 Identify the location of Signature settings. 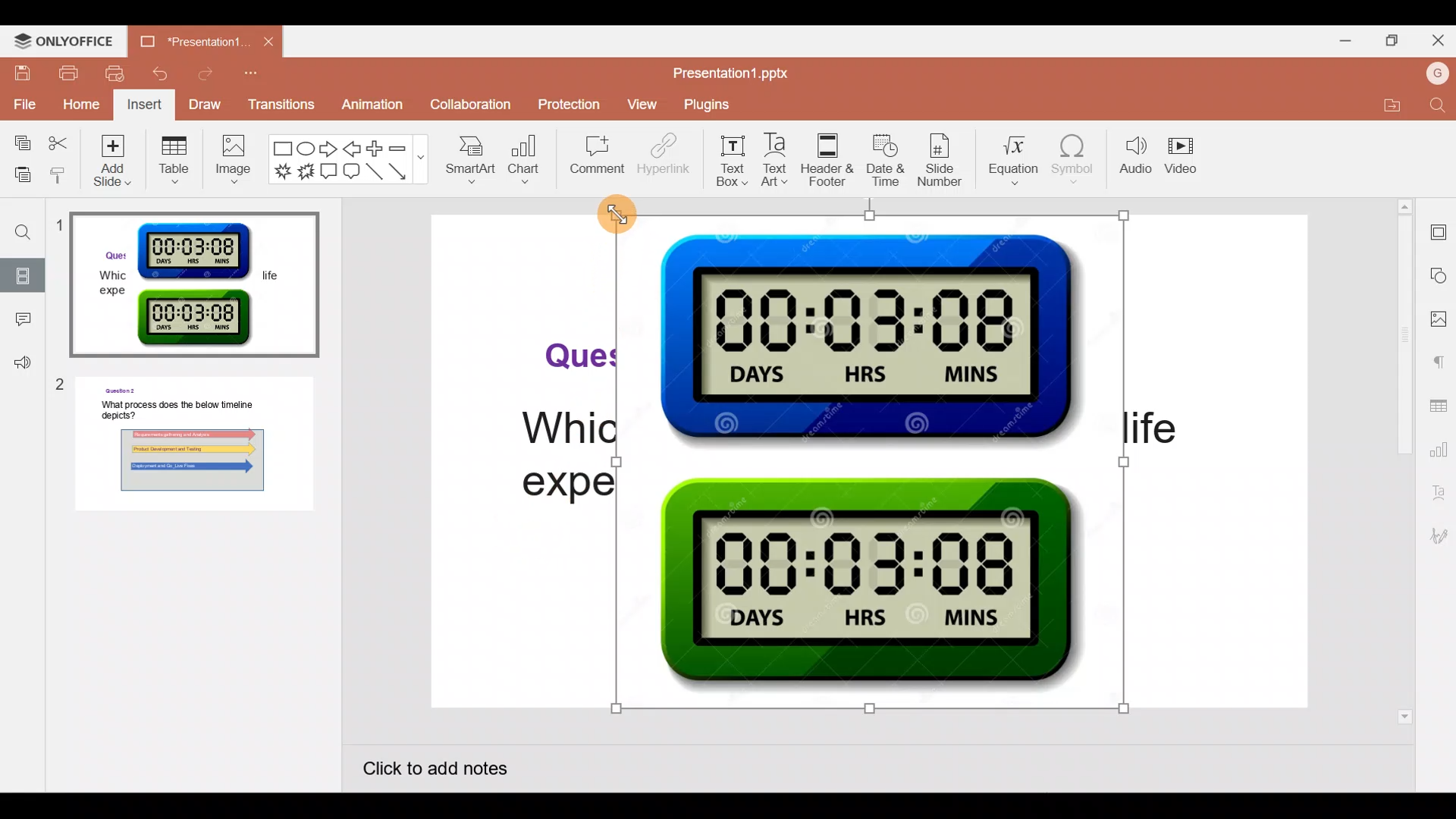
(1439, 536).